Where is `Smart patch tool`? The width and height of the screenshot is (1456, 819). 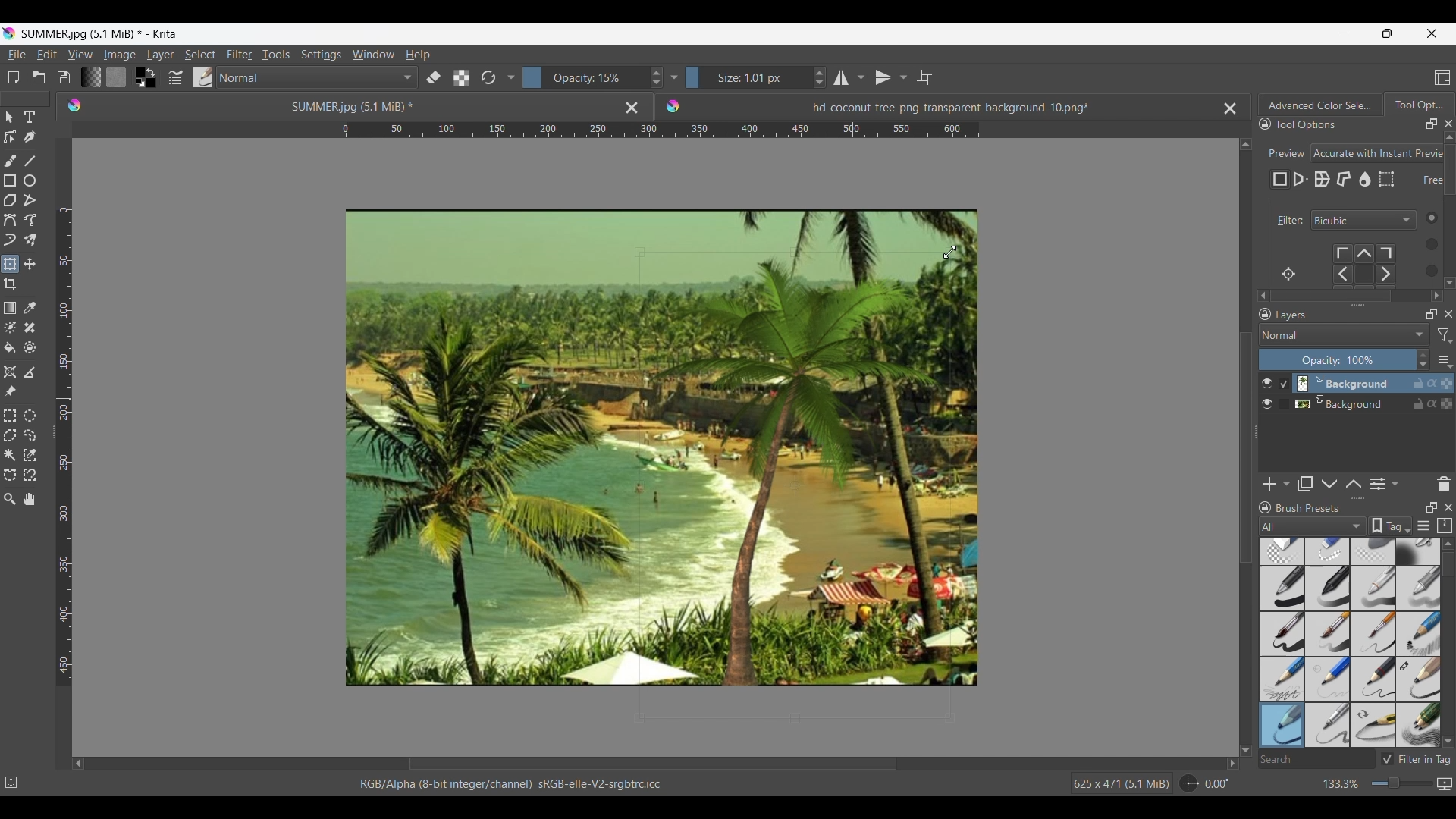 Smart patch tool is located at coordinates (30, 327).